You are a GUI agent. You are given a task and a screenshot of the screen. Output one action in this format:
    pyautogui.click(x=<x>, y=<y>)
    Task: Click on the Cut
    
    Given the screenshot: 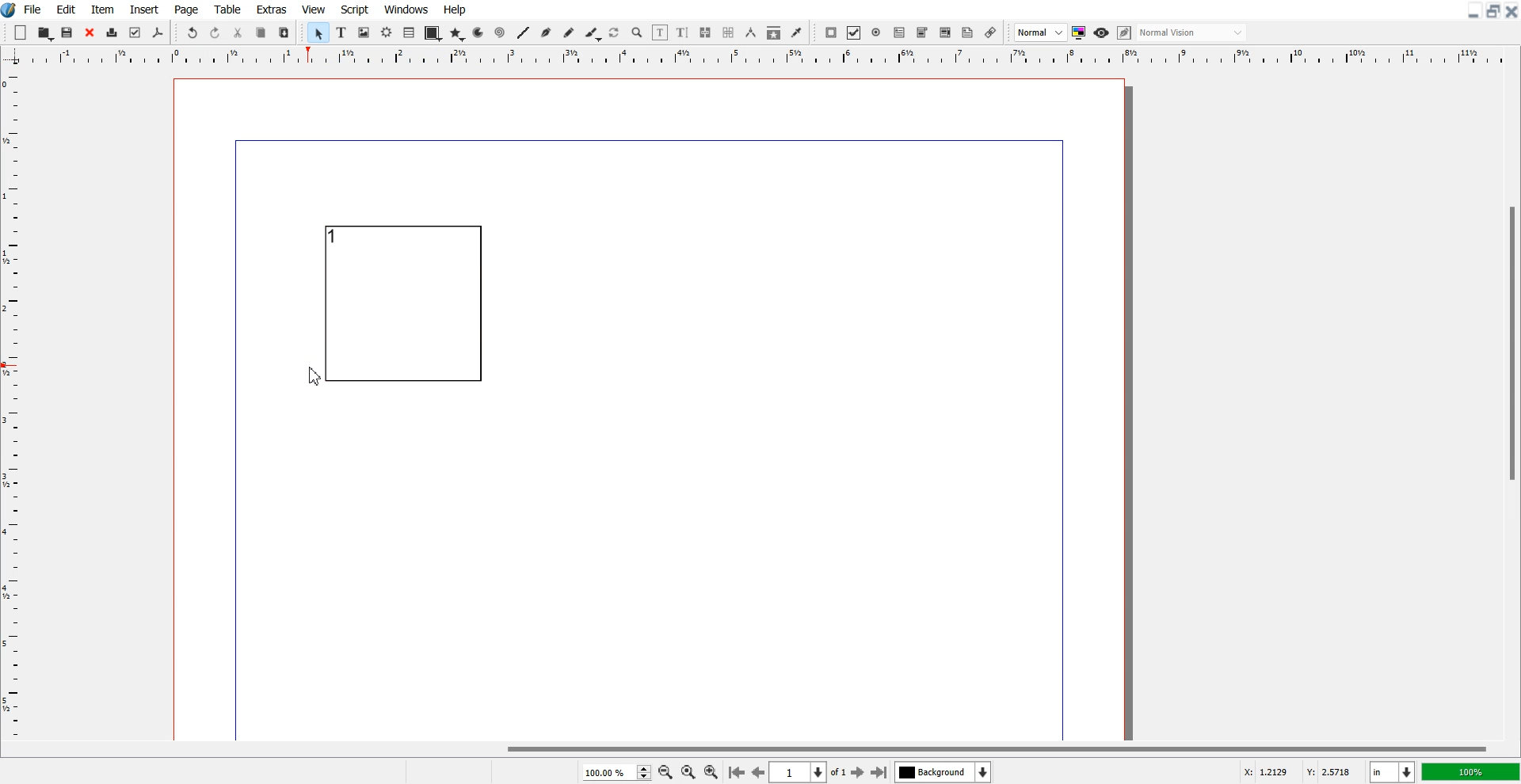 What is the action you would take?
    pyautogui.click(x=238, y=32)
    